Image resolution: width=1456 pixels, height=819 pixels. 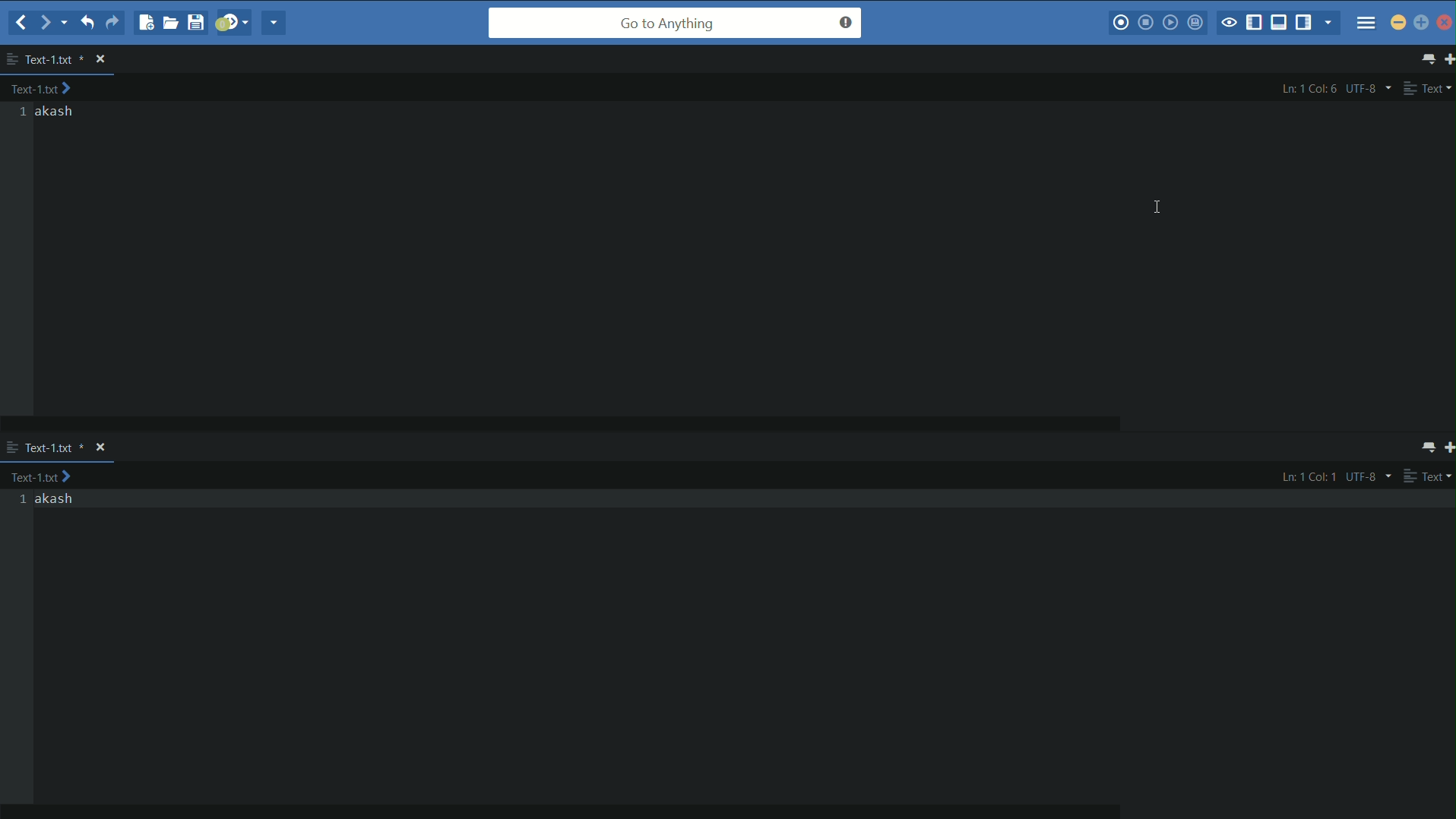 What do you see at coordinates (273, 23) in the screenshot?
I see `share current file` at bounding box center [273, 23].